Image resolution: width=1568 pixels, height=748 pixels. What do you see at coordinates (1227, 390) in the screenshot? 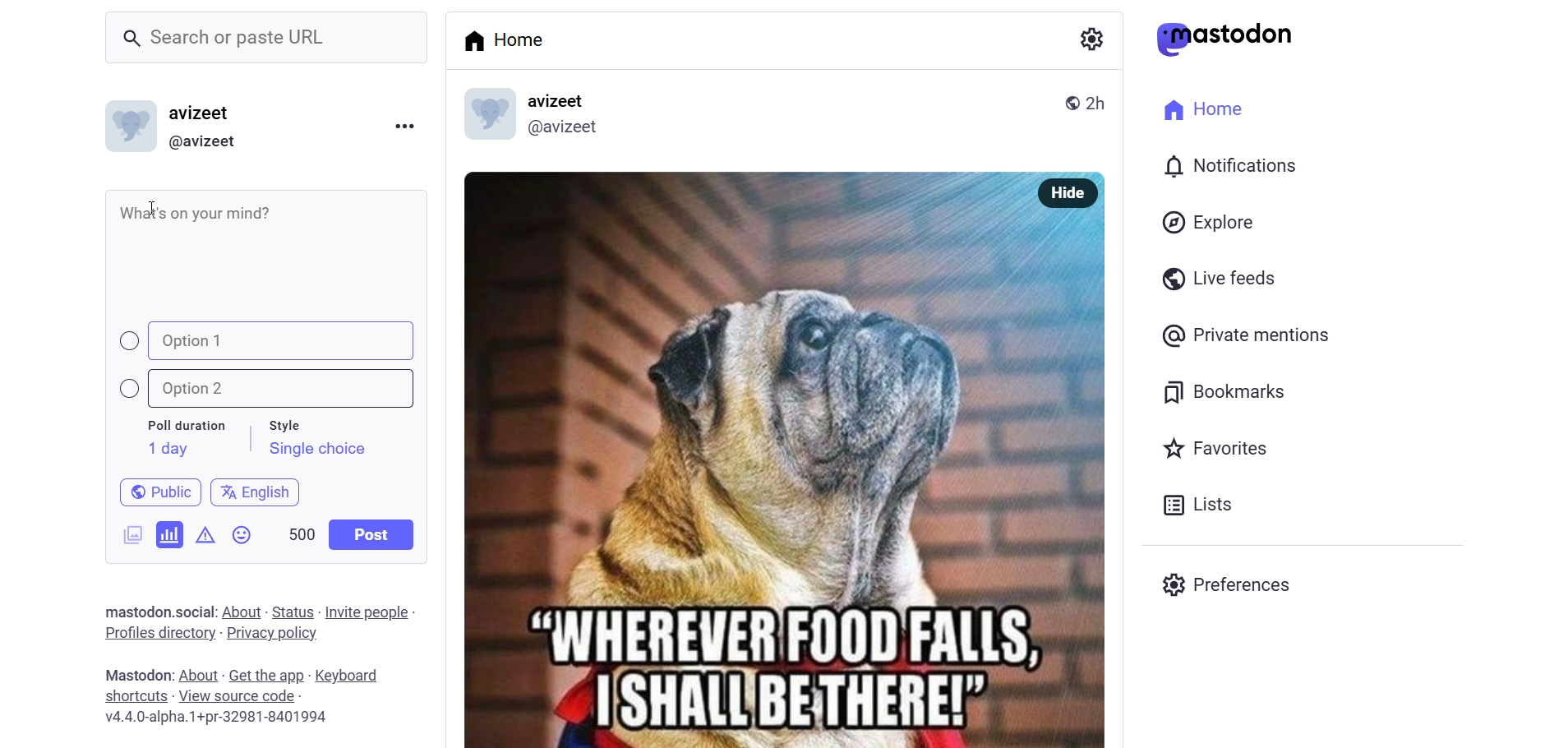
I see `bookmark` at bounding box center [1227, 390].